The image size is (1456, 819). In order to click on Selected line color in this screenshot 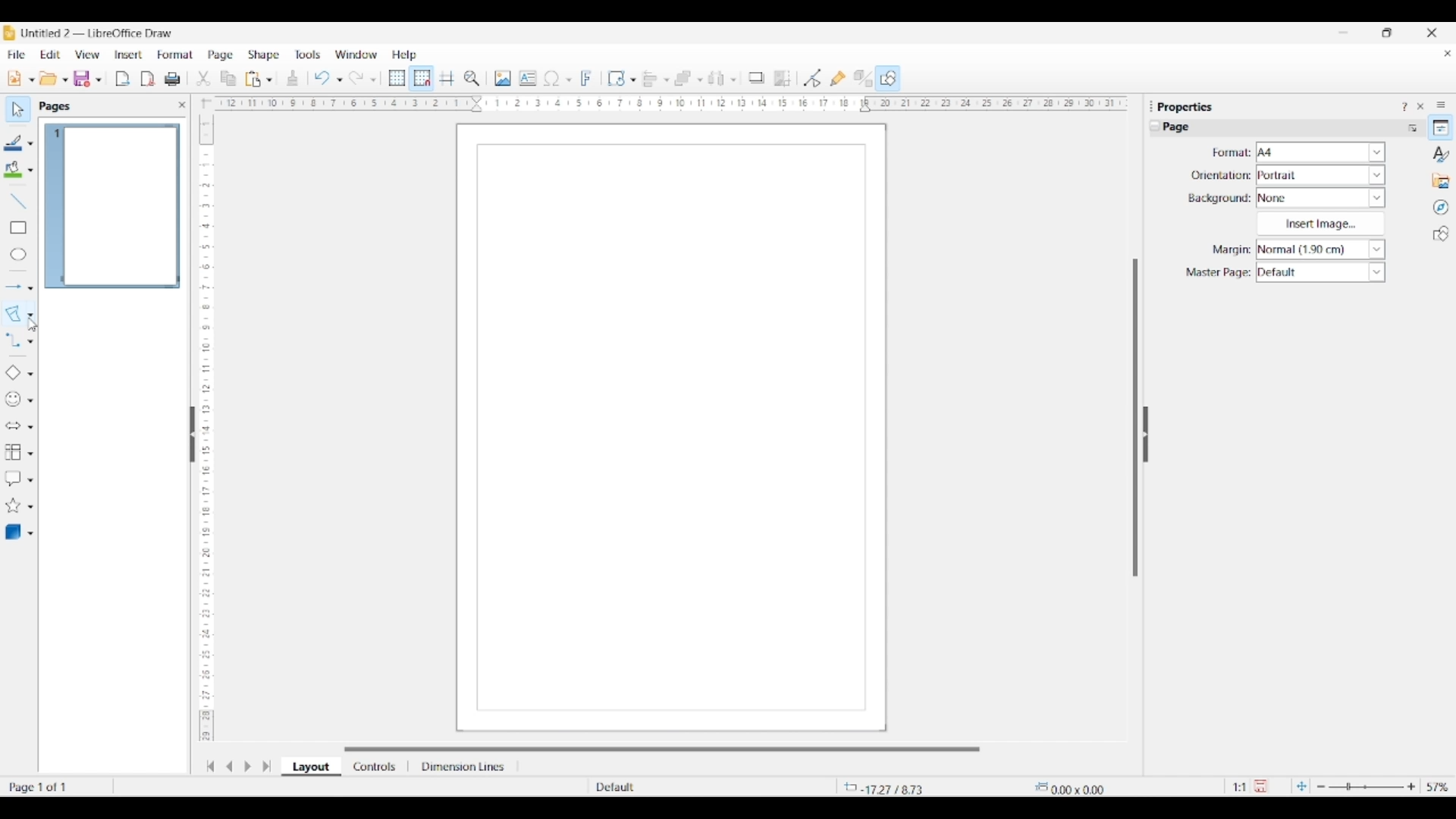, I will do `click(11, 143)`.